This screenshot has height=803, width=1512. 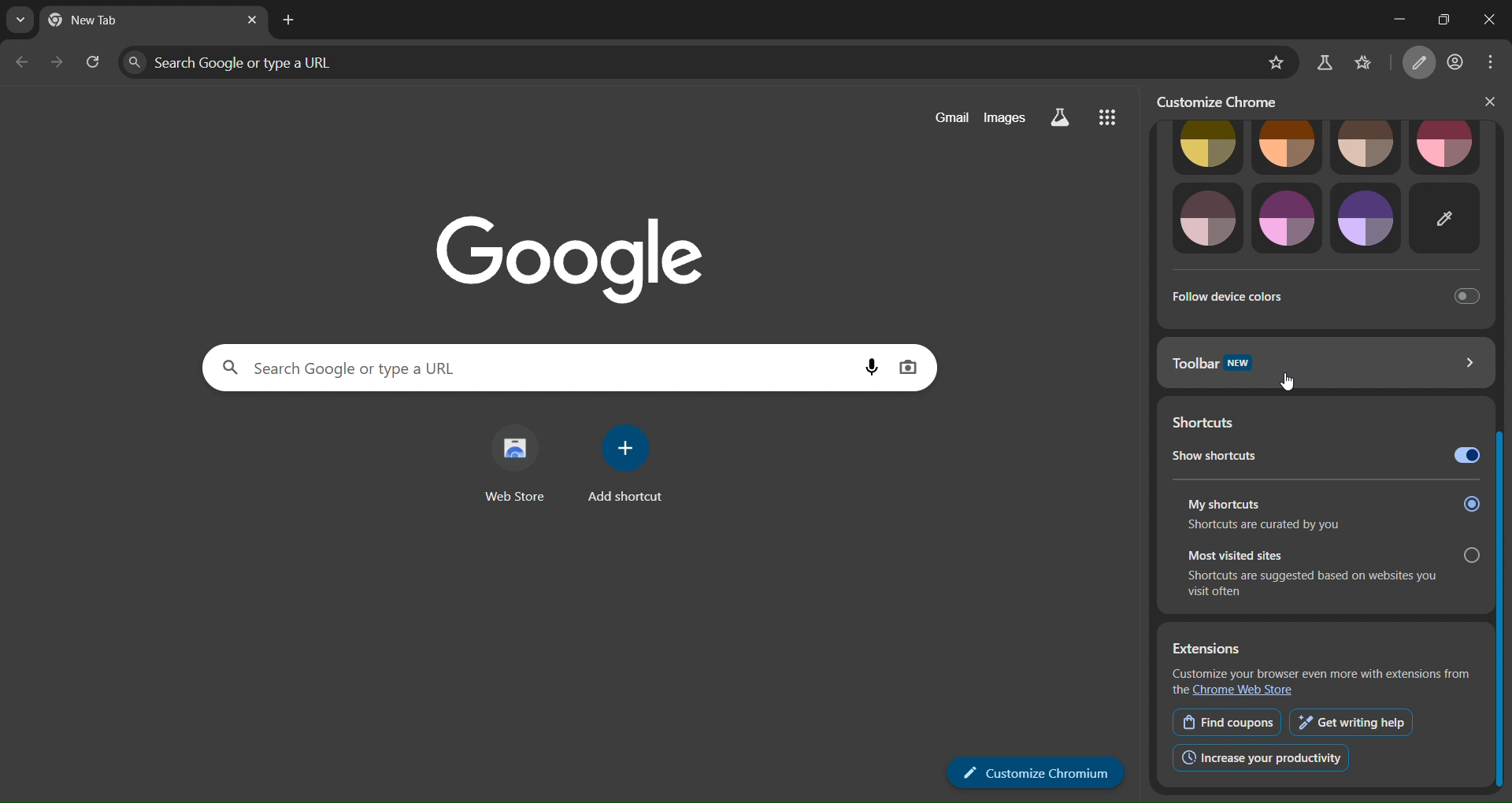 I want to click on image, so click(x=1446, y=148).